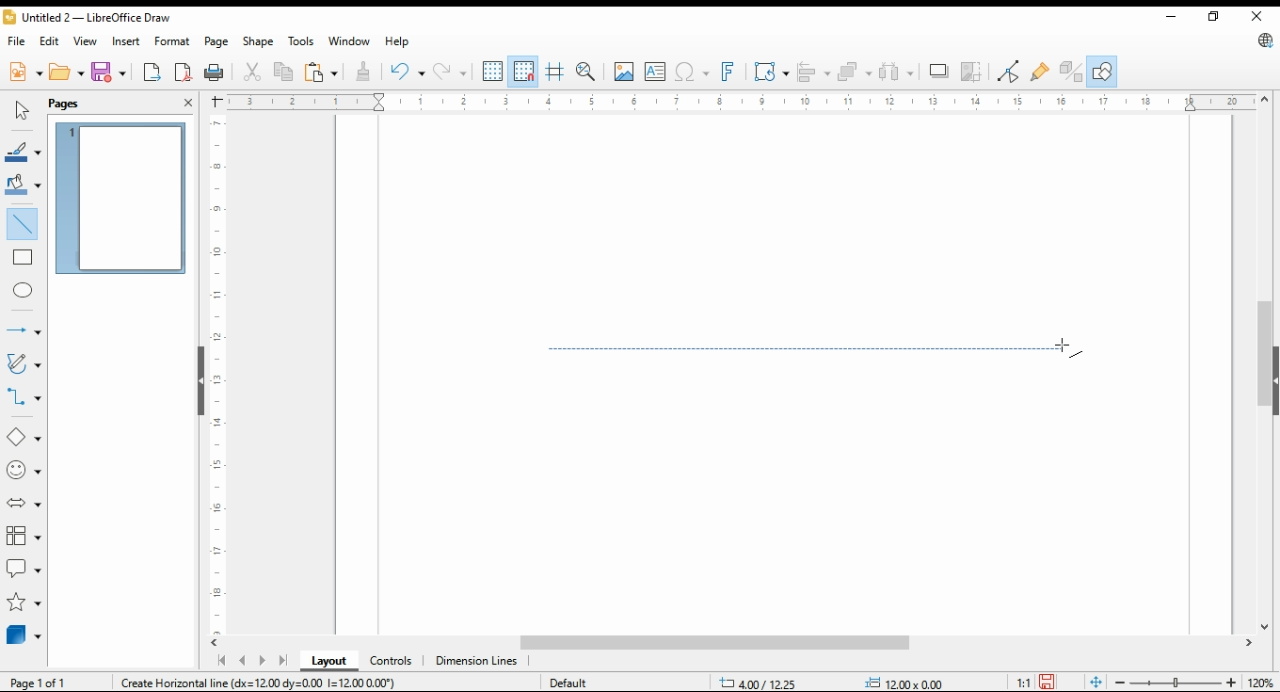 This screenshot has width=1280, height=692. I want to click on insert special characters, so click(690, 72).